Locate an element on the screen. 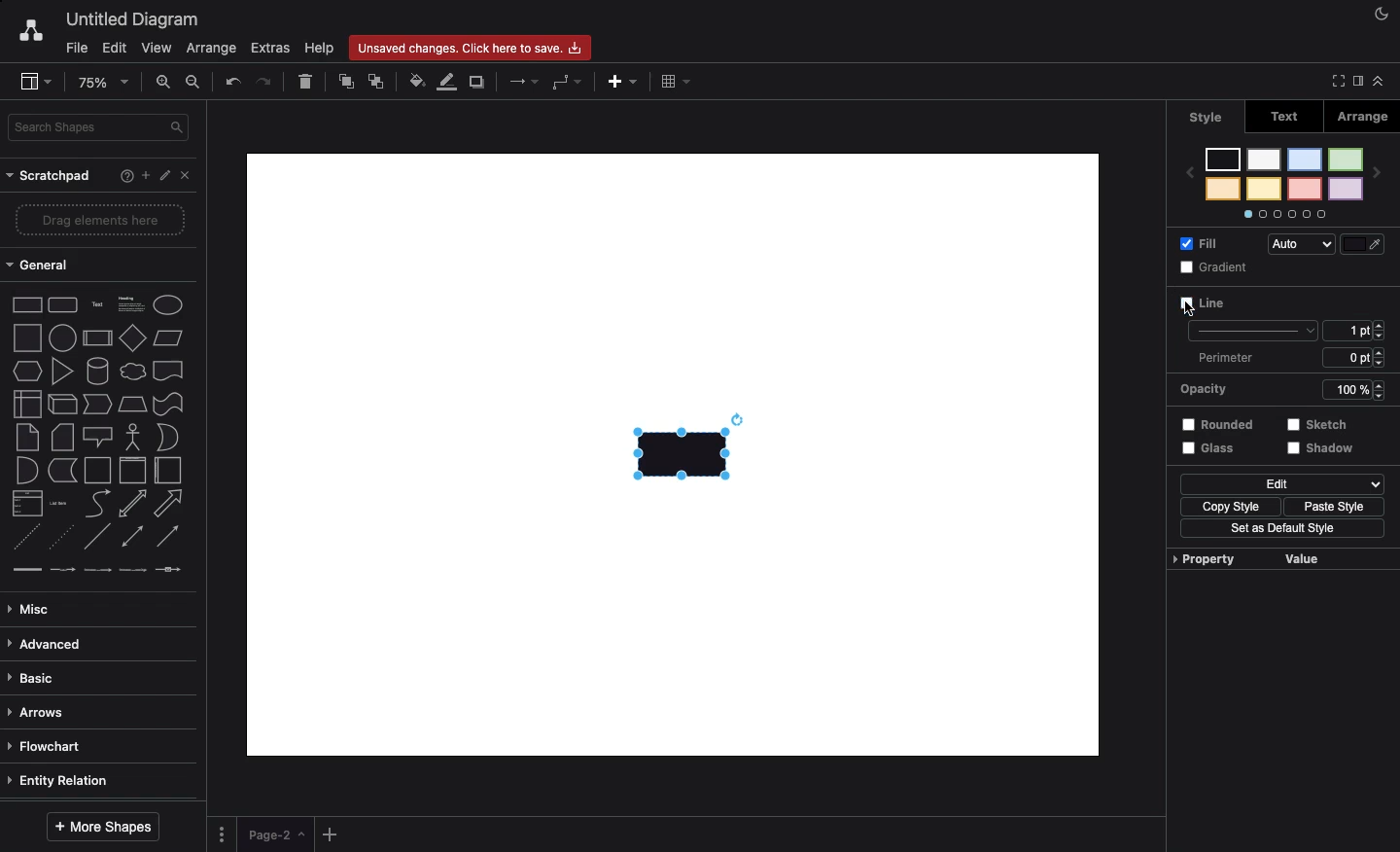 The image size is (1400, 852). line is located at coordinates (1250, 328).